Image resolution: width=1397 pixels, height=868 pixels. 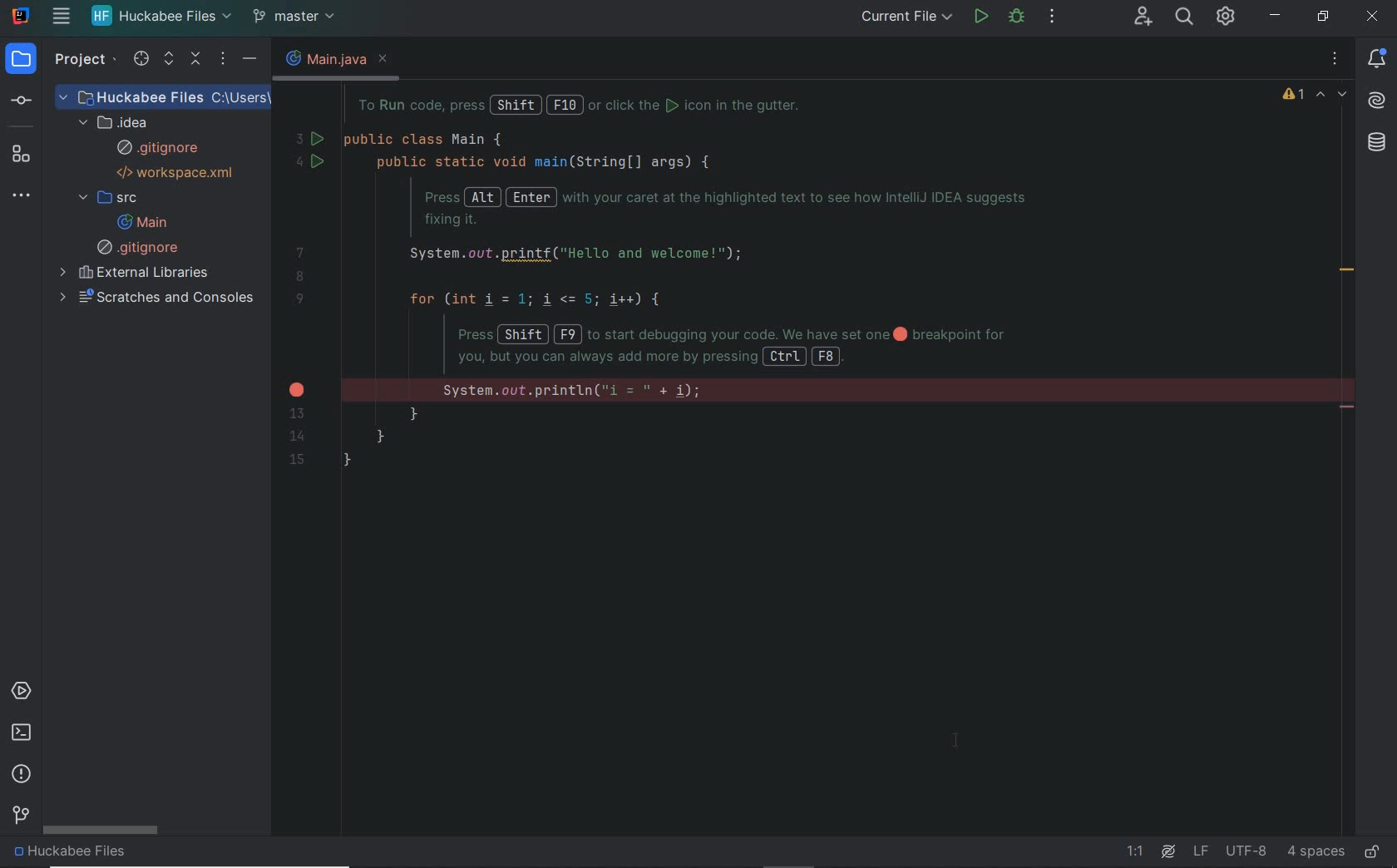 I want to click on scrollbar, so click(x=102, y=831).